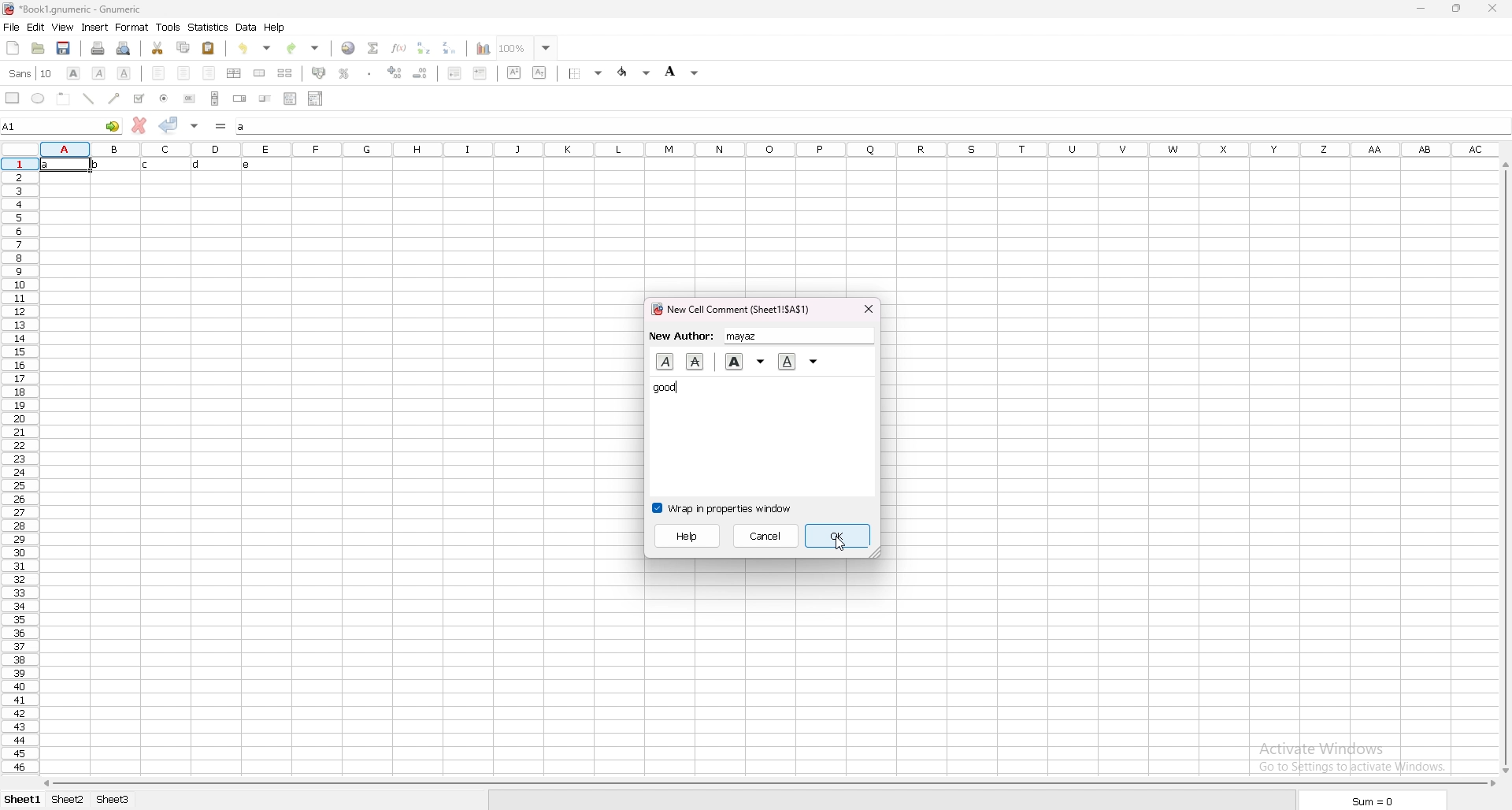  What do you see at coordinates (184, 46) in the screenshot?
I see `copy` at bounding box center [184, 46].